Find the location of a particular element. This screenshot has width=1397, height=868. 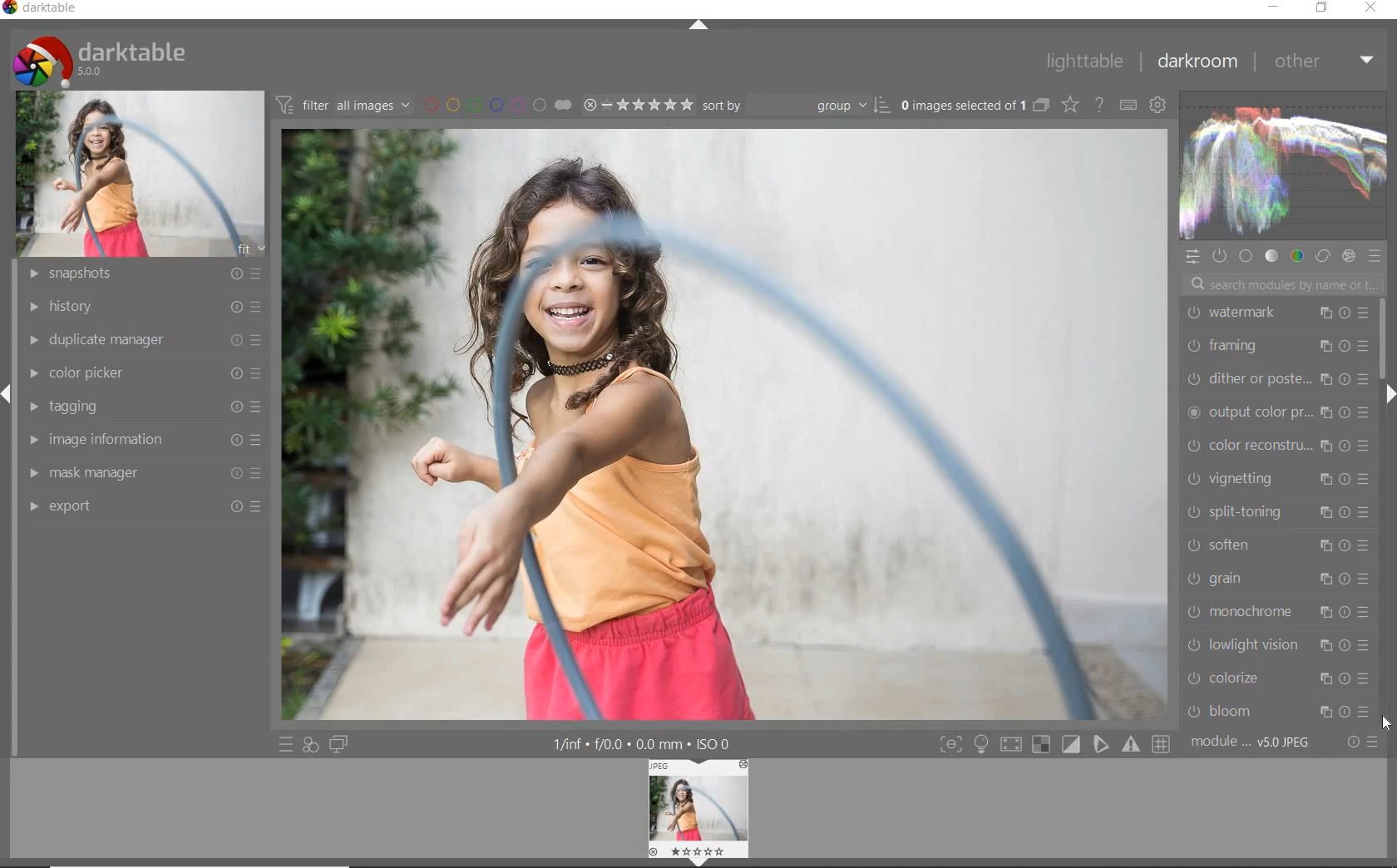

minimize is located at coordinates (1273, 6).